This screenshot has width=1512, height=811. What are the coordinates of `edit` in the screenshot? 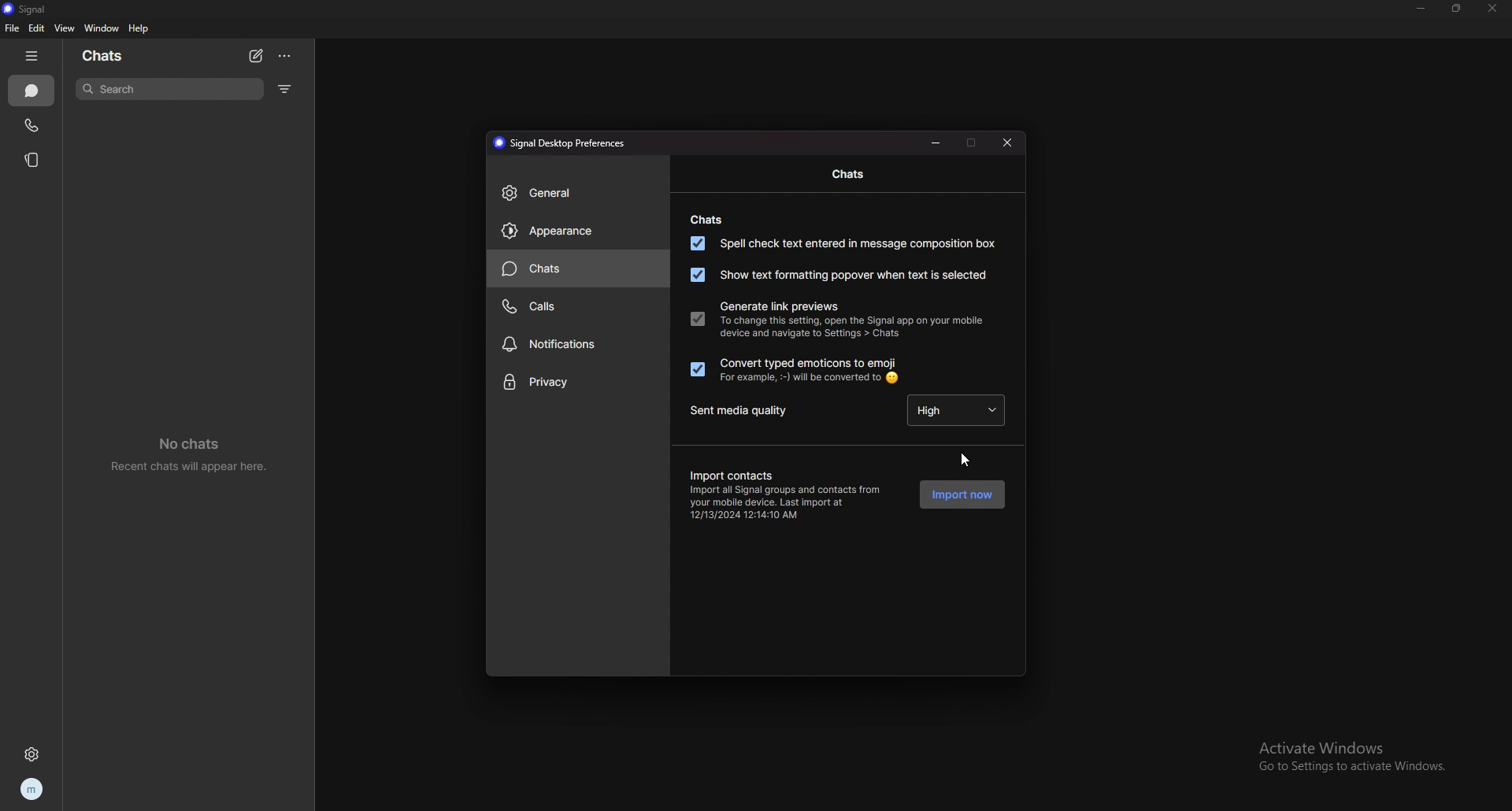 It's located at (38, 28).